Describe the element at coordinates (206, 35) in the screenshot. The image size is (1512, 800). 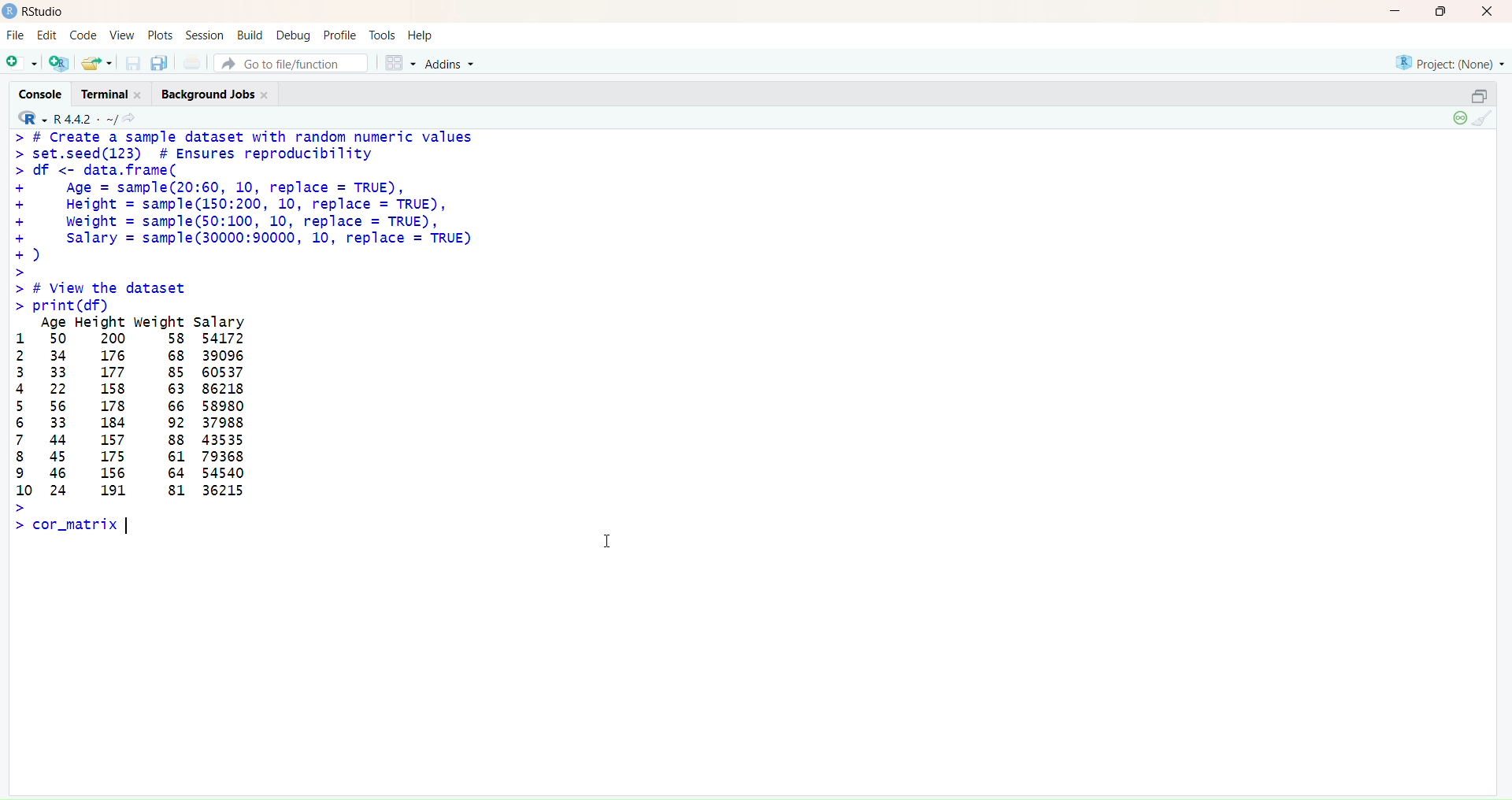
I see `Session` at that location.